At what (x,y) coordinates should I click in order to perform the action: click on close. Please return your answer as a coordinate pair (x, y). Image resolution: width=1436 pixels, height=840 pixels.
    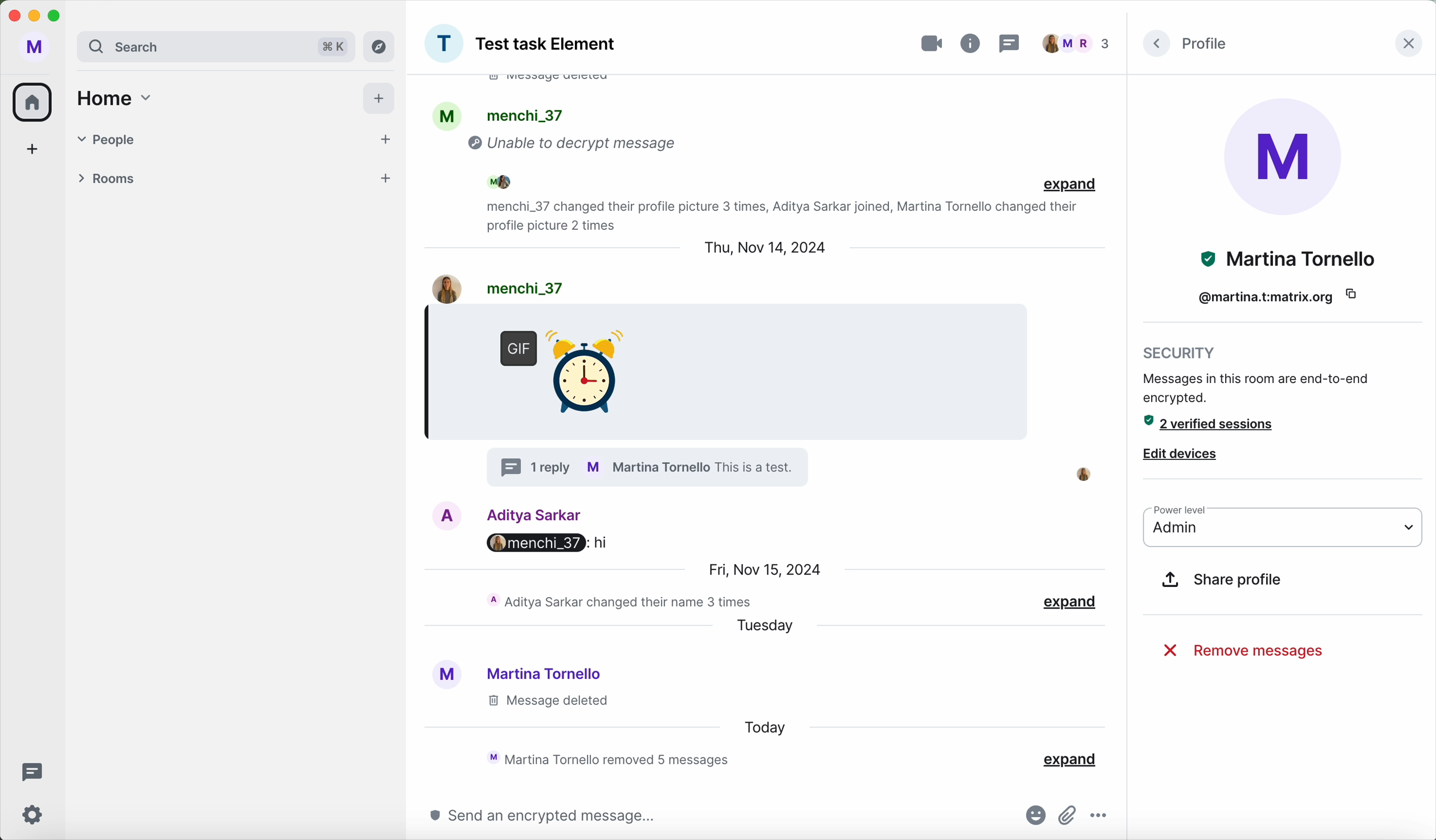
    Looking at the image, I should click on (1406, 44).